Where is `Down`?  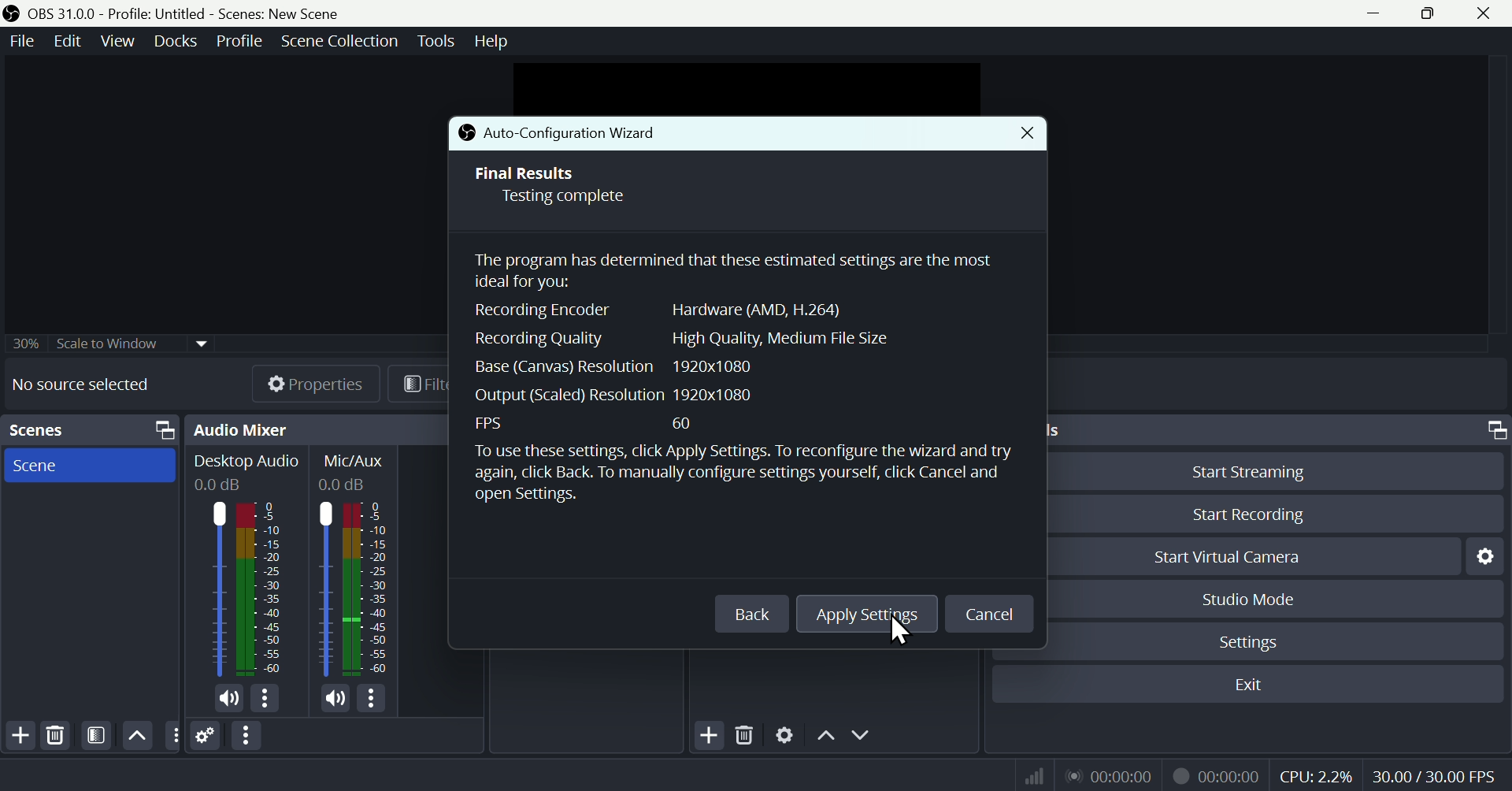
Down is located at coordinates (864, 734).